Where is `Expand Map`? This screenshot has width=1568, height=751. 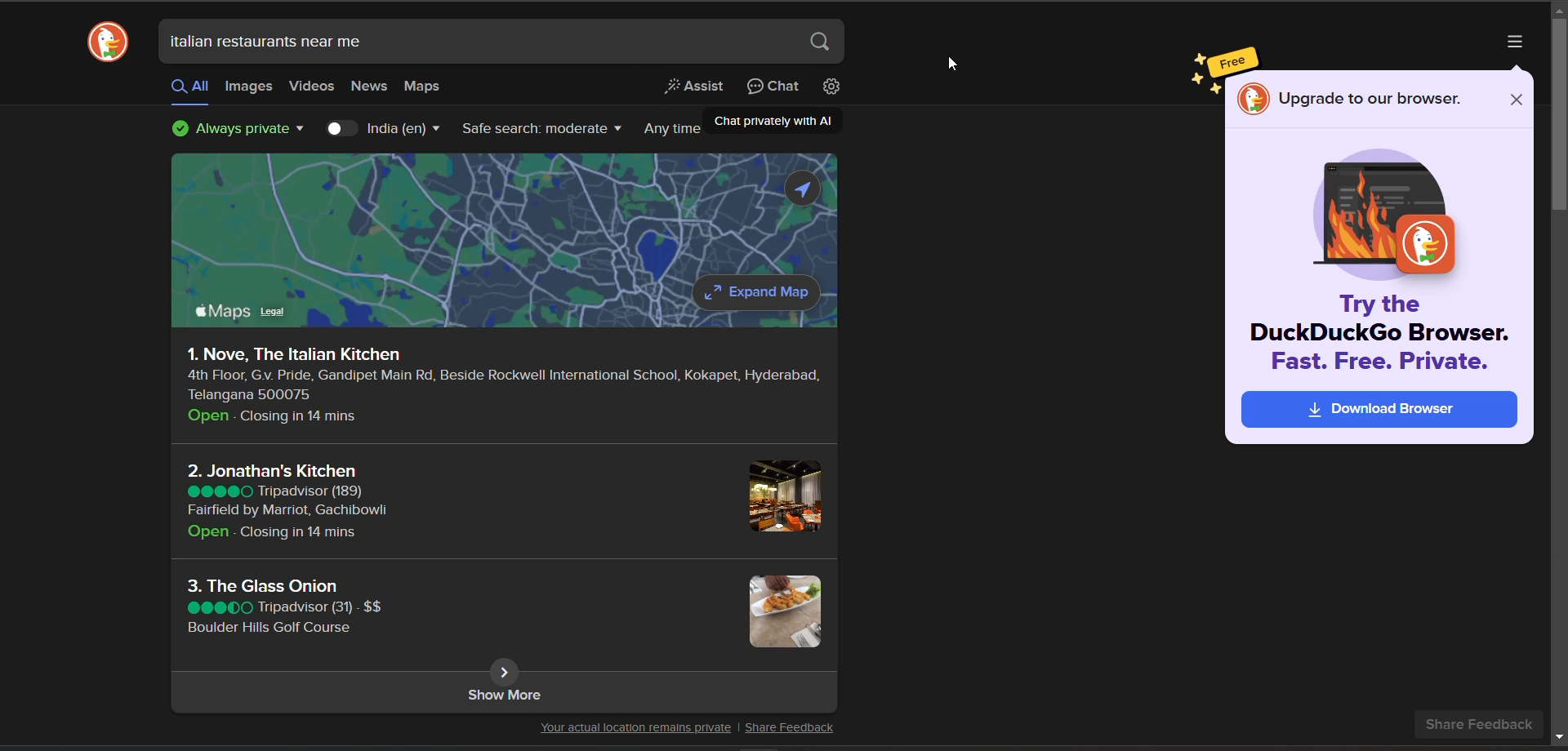 Expand Map is located at coordinates (758, 292).